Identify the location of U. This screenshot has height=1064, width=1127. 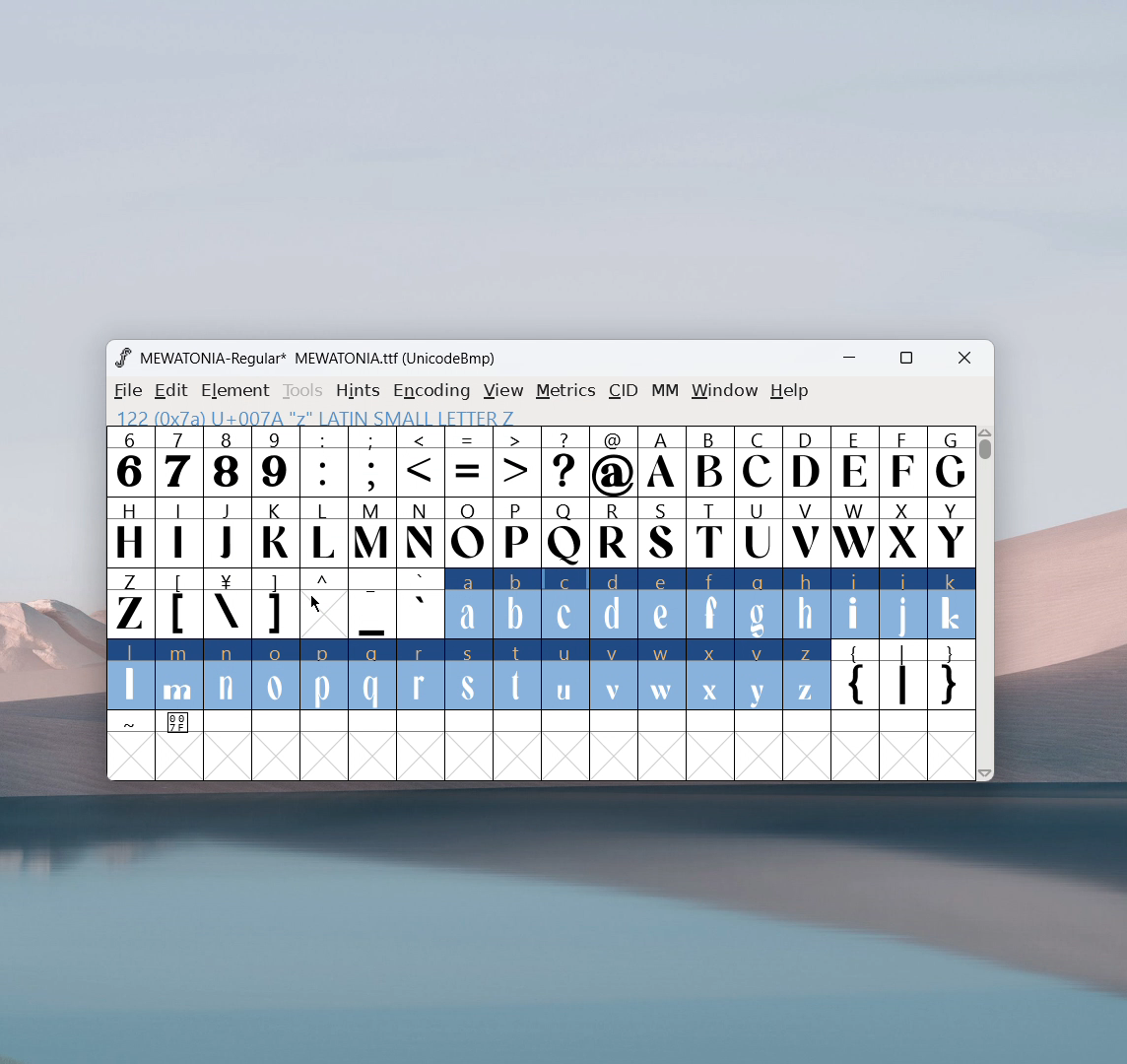
(759, 531).